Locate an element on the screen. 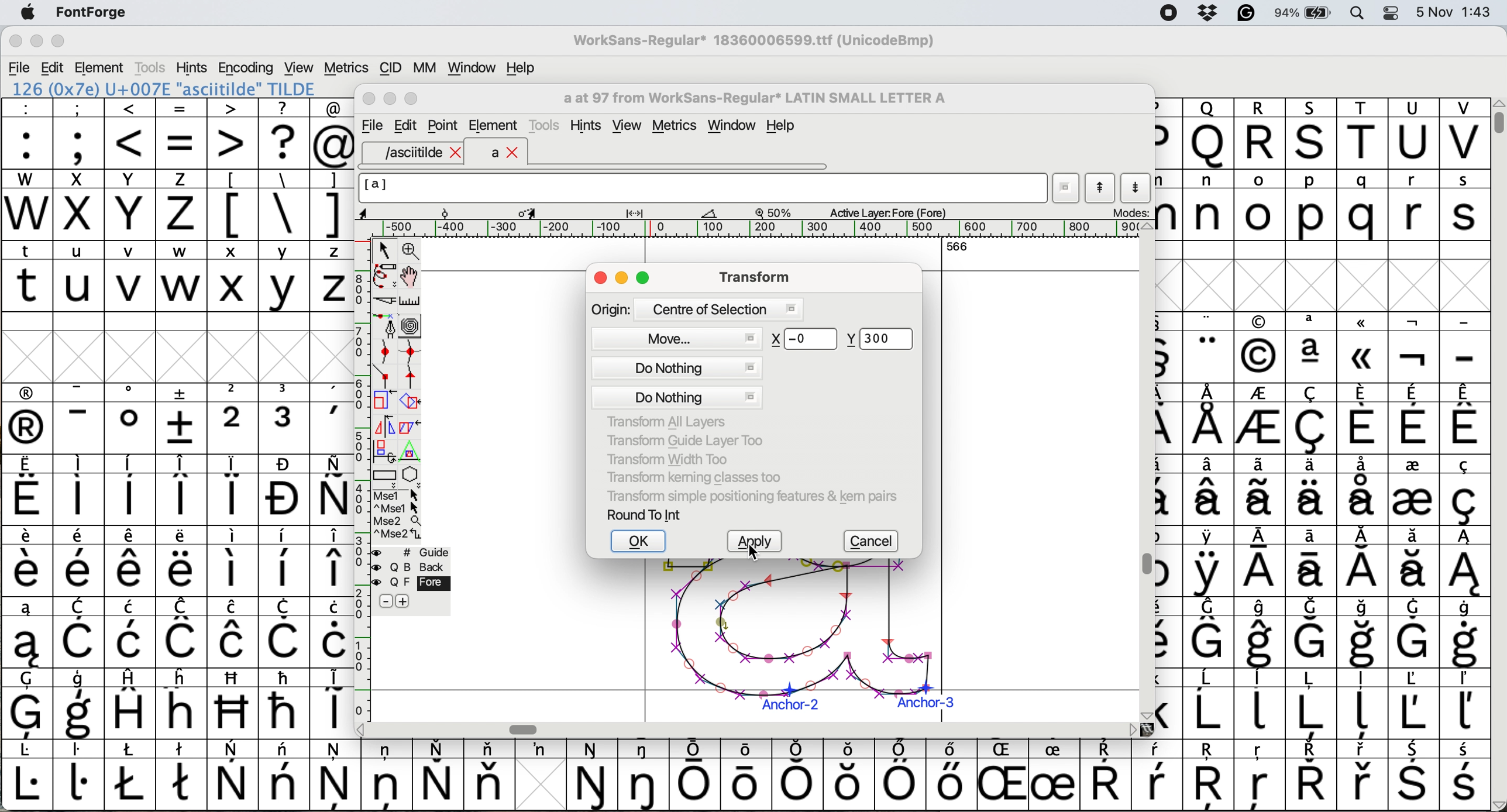 This screenshot has width=1507, height=812. symbol is located at coordinates (1260, 563).